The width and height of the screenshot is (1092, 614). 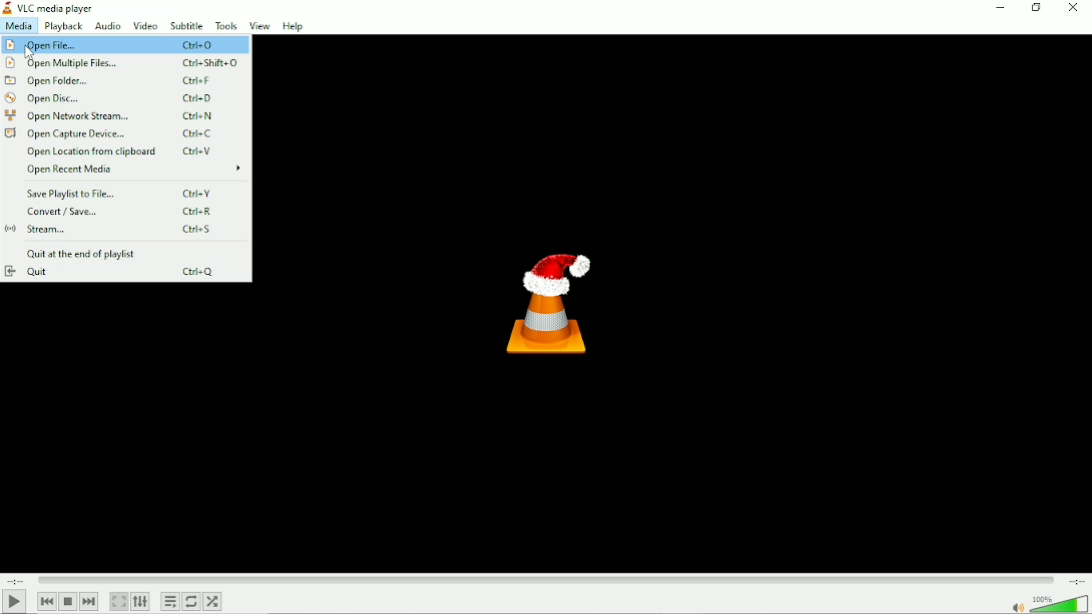 What do you see at coordinates (89, 602) in the screenshot?
I see `Next` at bounding box center [89, 602].